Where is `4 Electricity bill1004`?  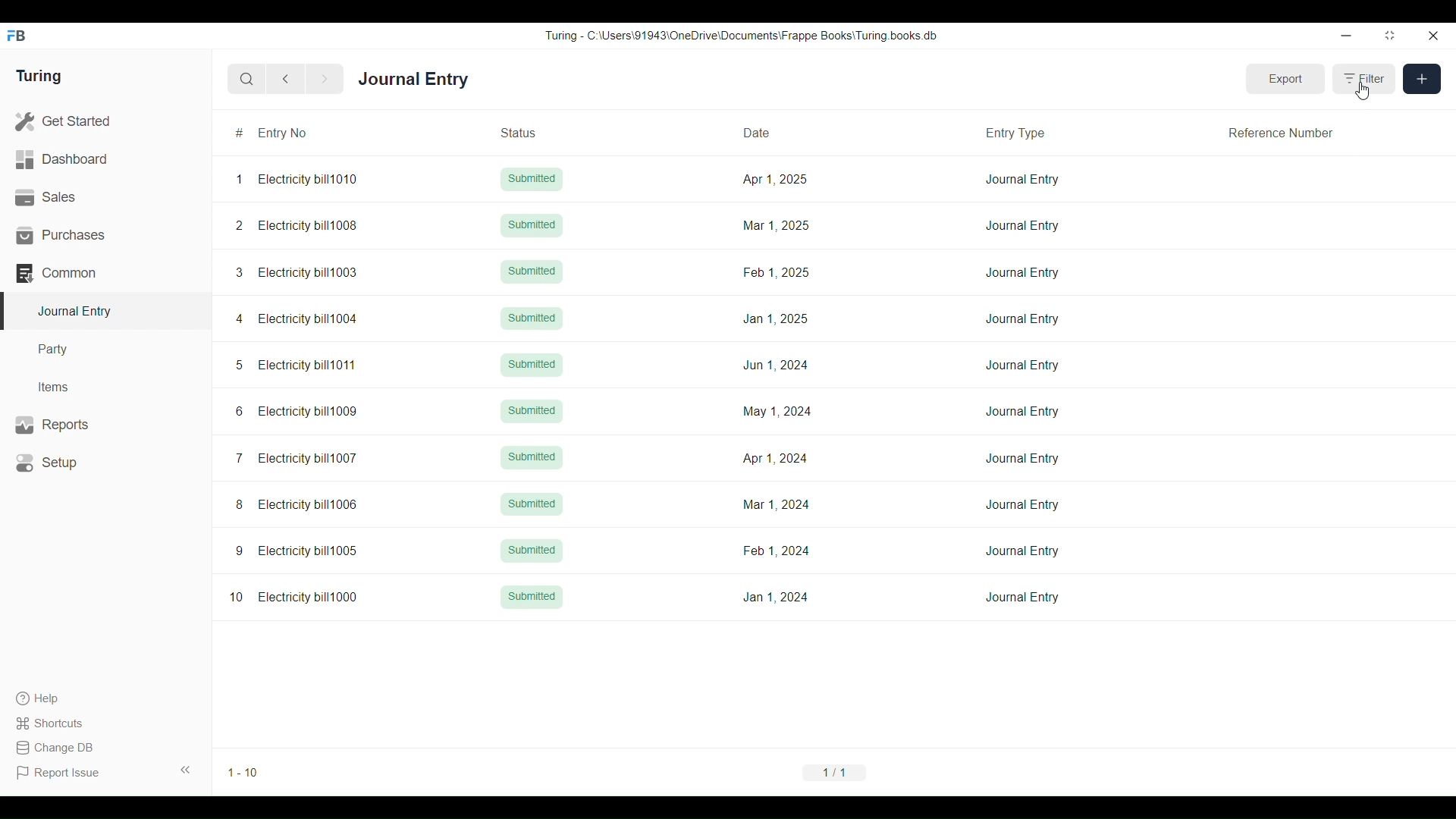 4 Electricity bill1004 is located at coordinates (297, 318).